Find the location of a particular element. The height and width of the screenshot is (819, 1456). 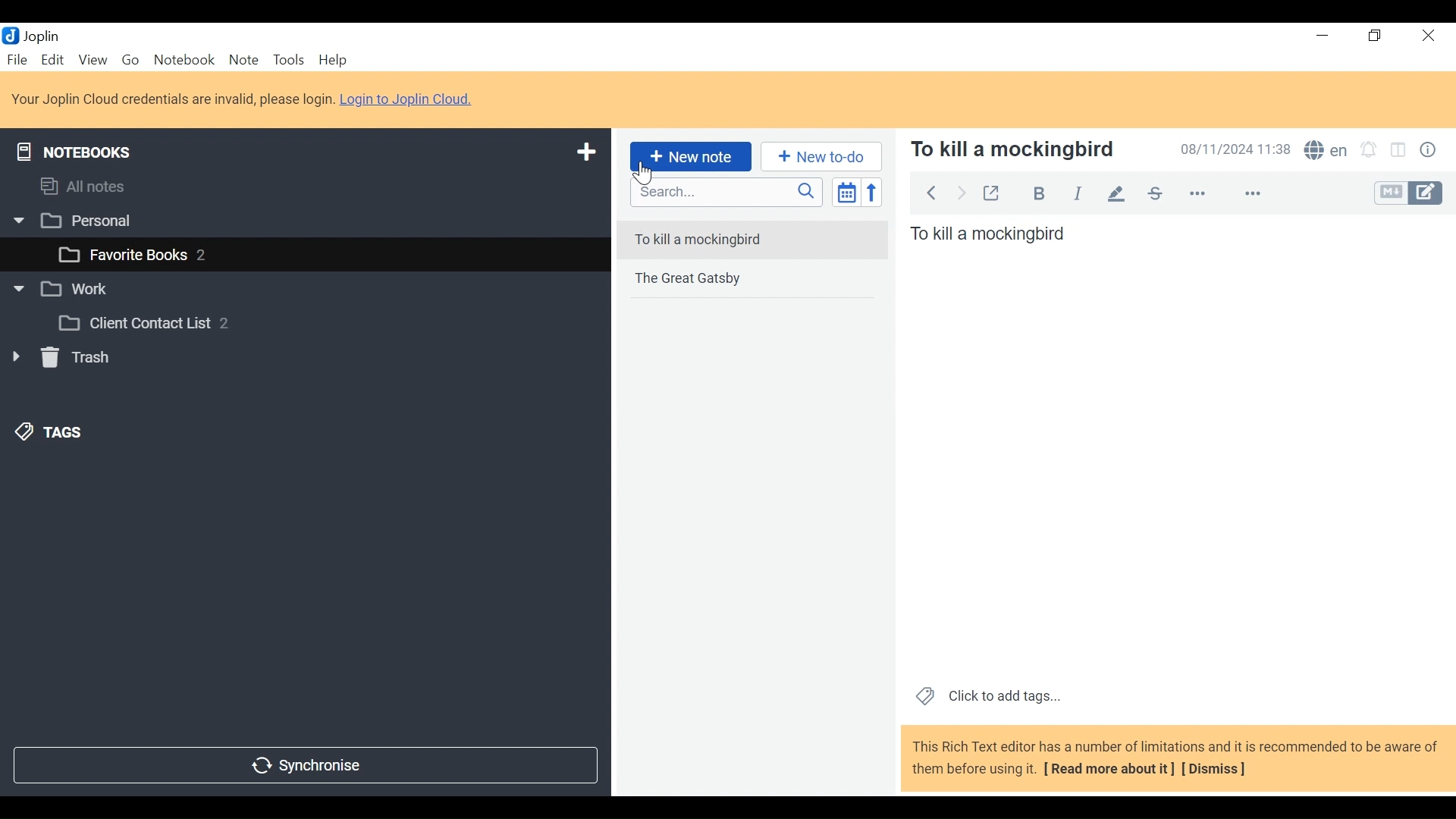

Note is located at coordinates (242, 60).